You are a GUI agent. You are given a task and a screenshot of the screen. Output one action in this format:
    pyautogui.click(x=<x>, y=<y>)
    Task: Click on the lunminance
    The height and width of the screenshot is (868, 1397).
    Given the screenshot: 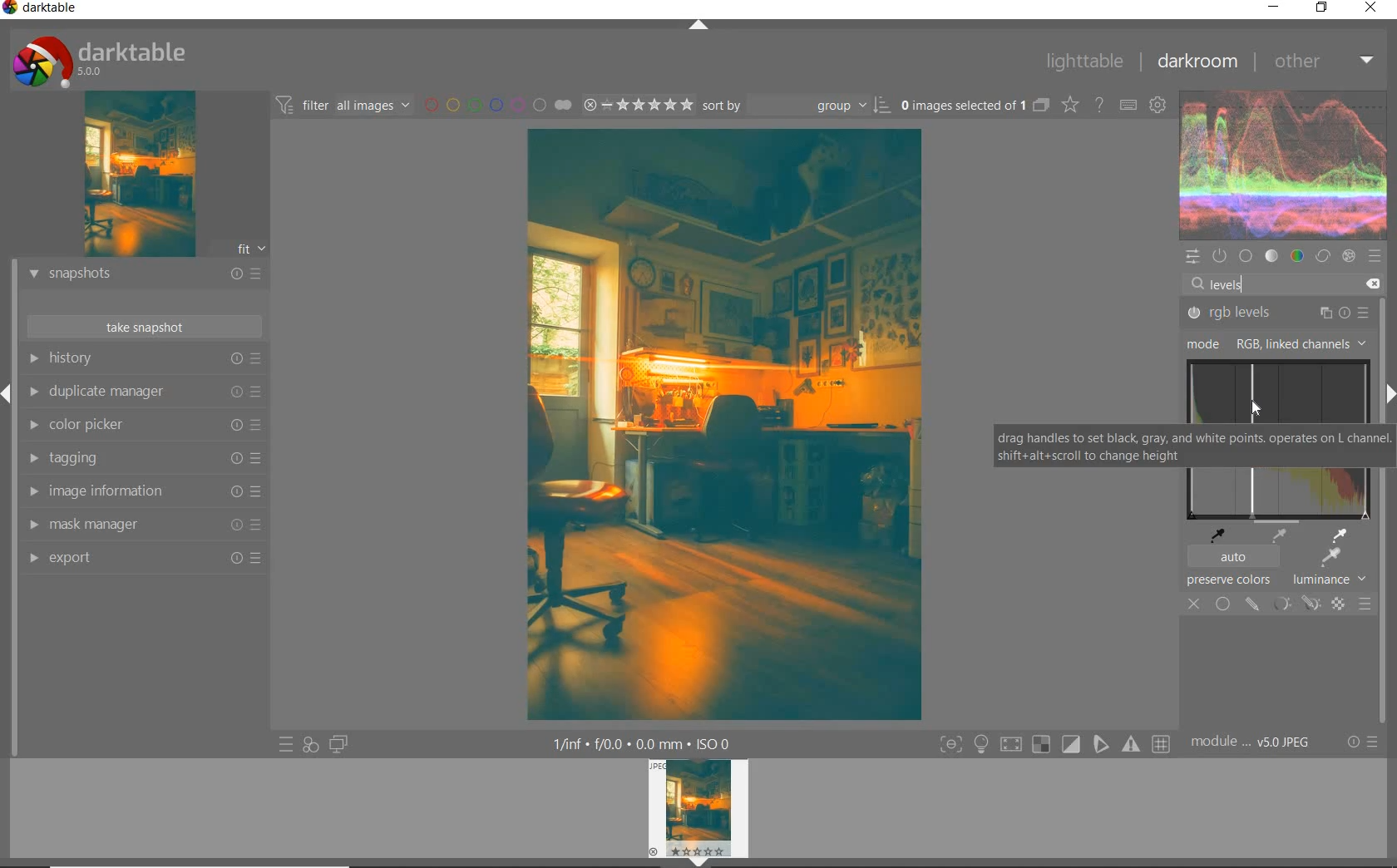 What is the action you would take?
    pyautogui.click(x=1334, y=579)
    